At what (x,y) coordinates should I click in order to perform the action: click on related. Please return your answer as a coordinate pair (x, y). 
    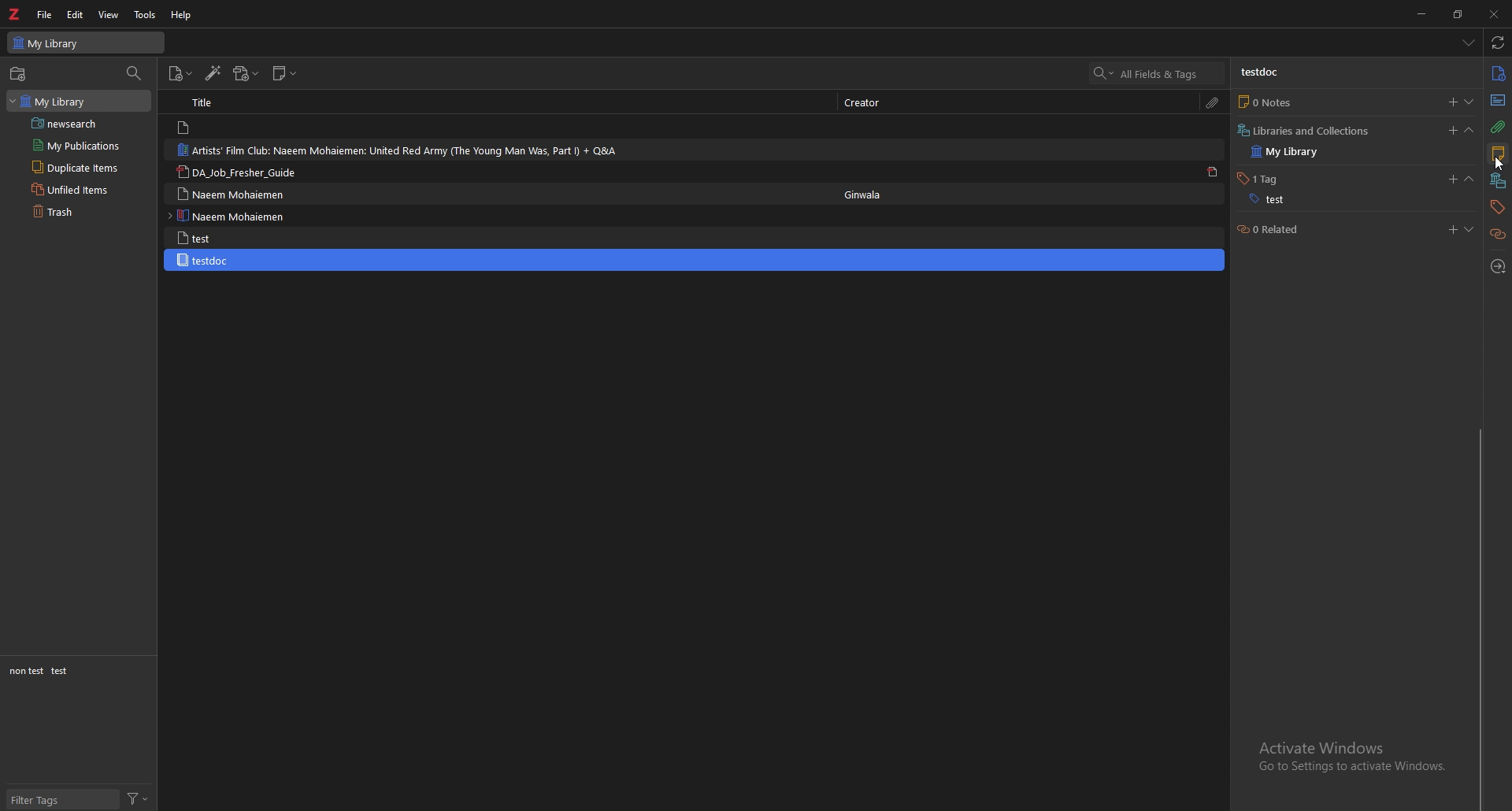
    Looking at the image, I should click on (1497, 233).